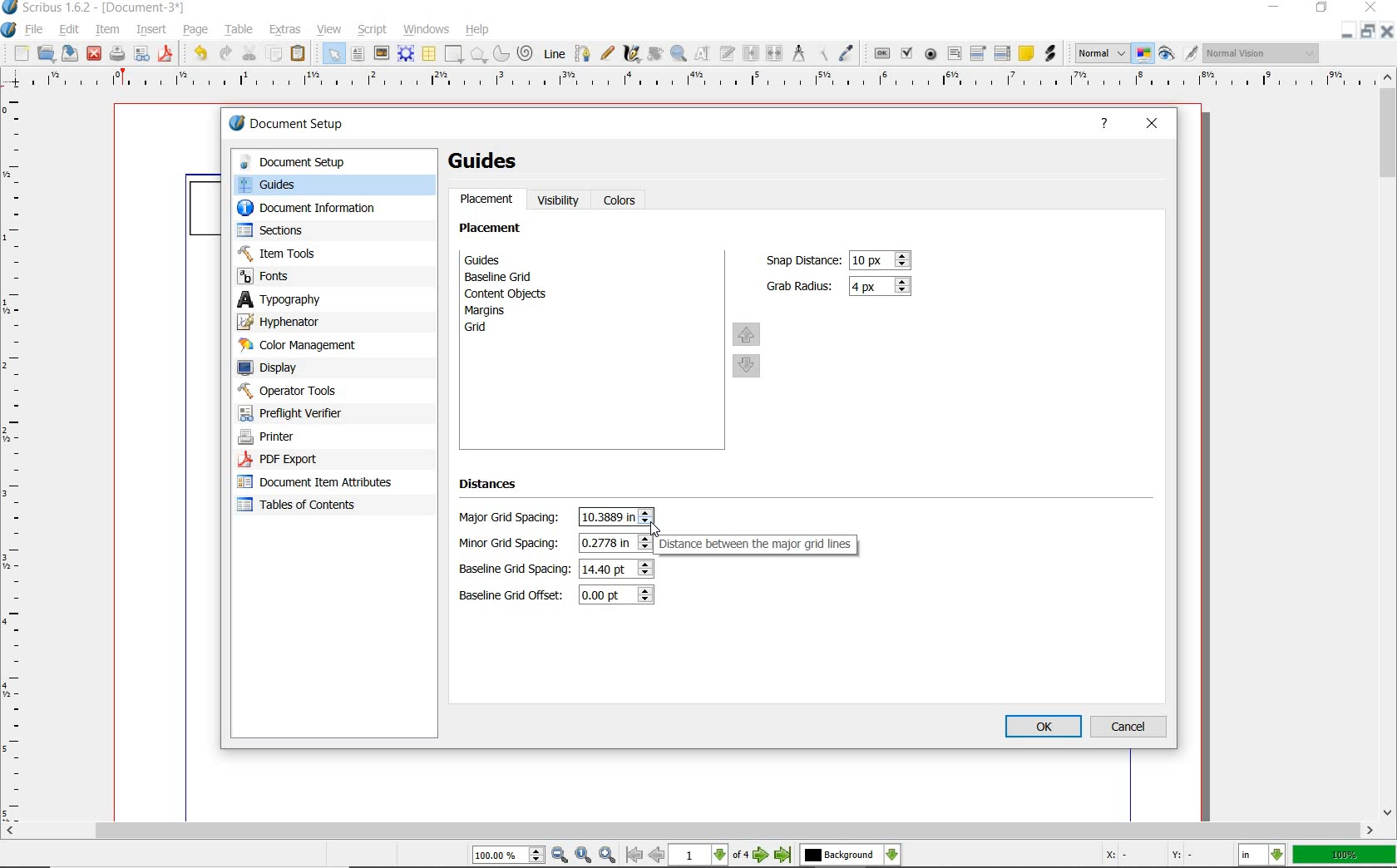 This screenshot has width=1397, height=868. Describe the element at coordinates (1345, 855) in the screenshot. I see `100%` at that location.